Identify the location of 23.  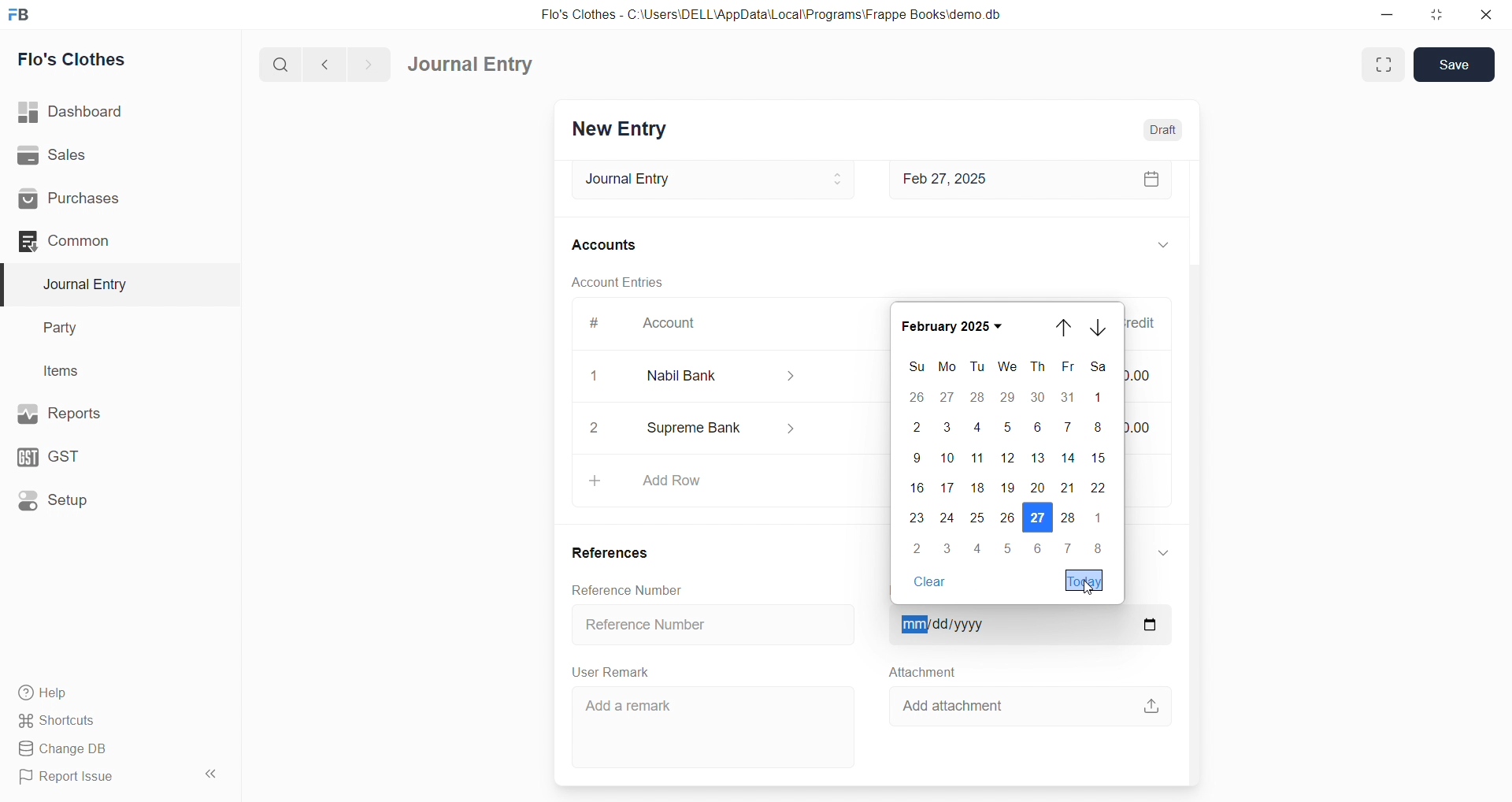
(915, 518).